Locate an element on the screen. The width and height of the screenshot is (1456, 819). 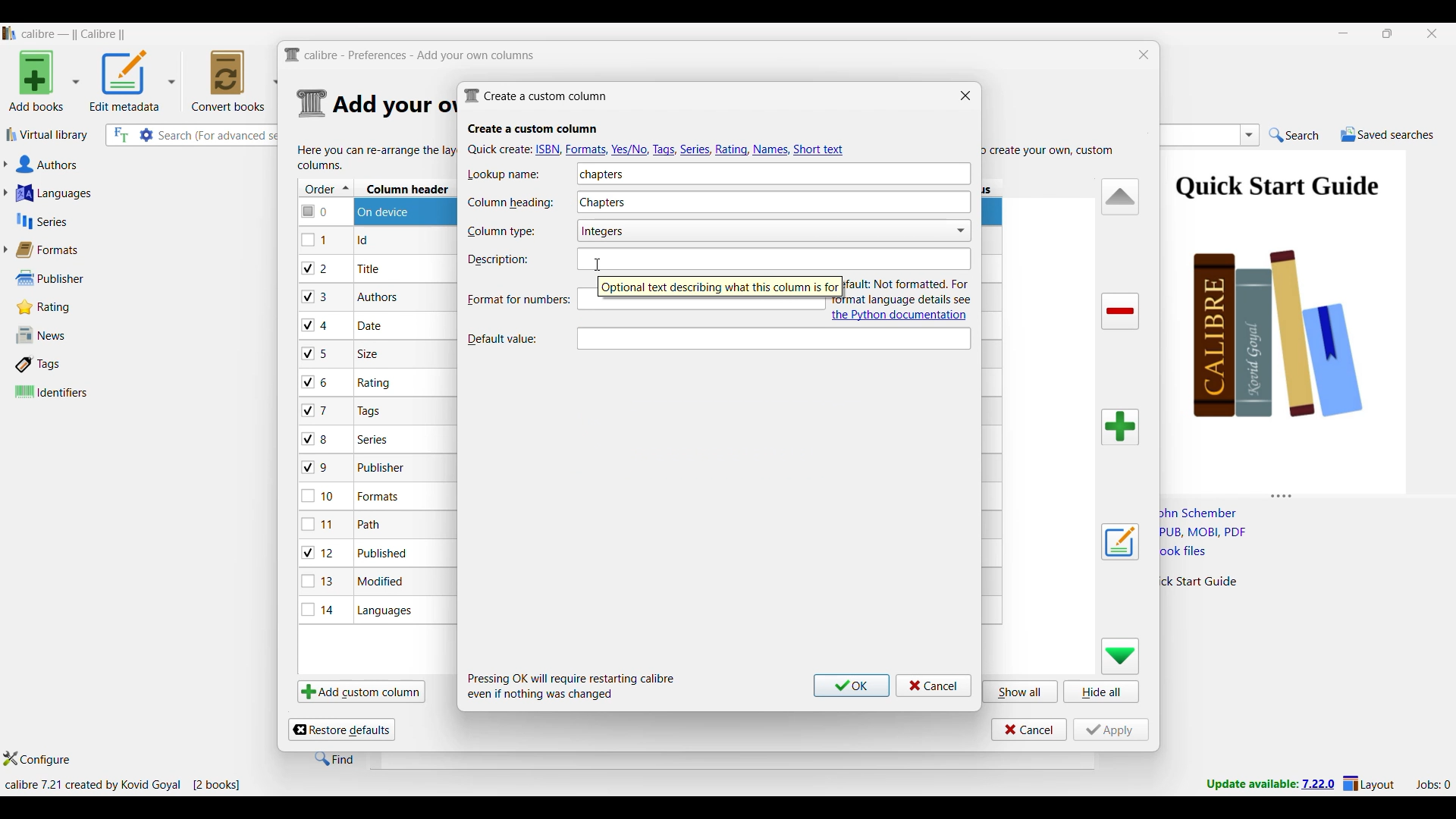
Cancel is located at coordinates (934, 686).